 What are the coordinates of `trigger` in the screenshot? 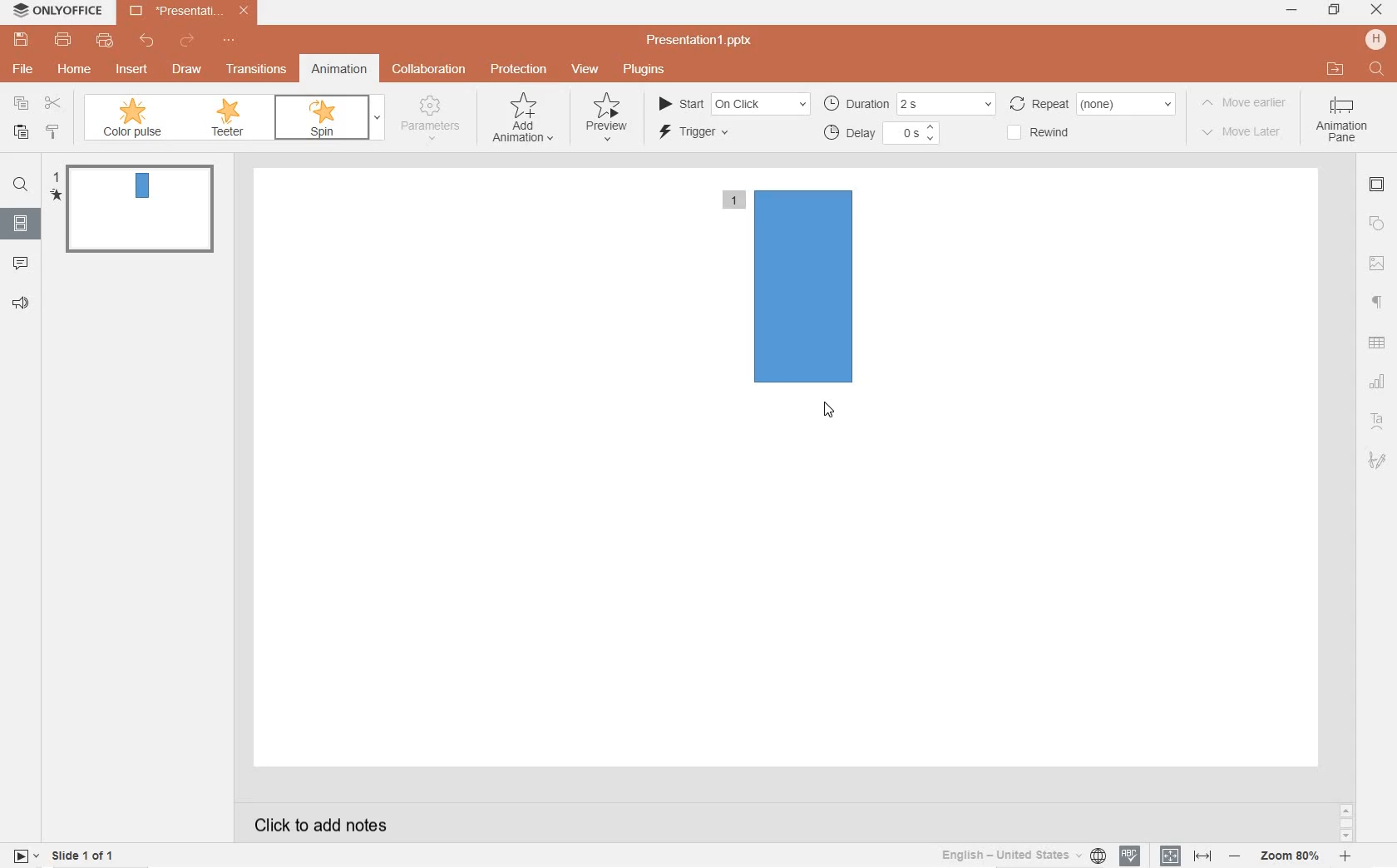 It's located at (707, 134).